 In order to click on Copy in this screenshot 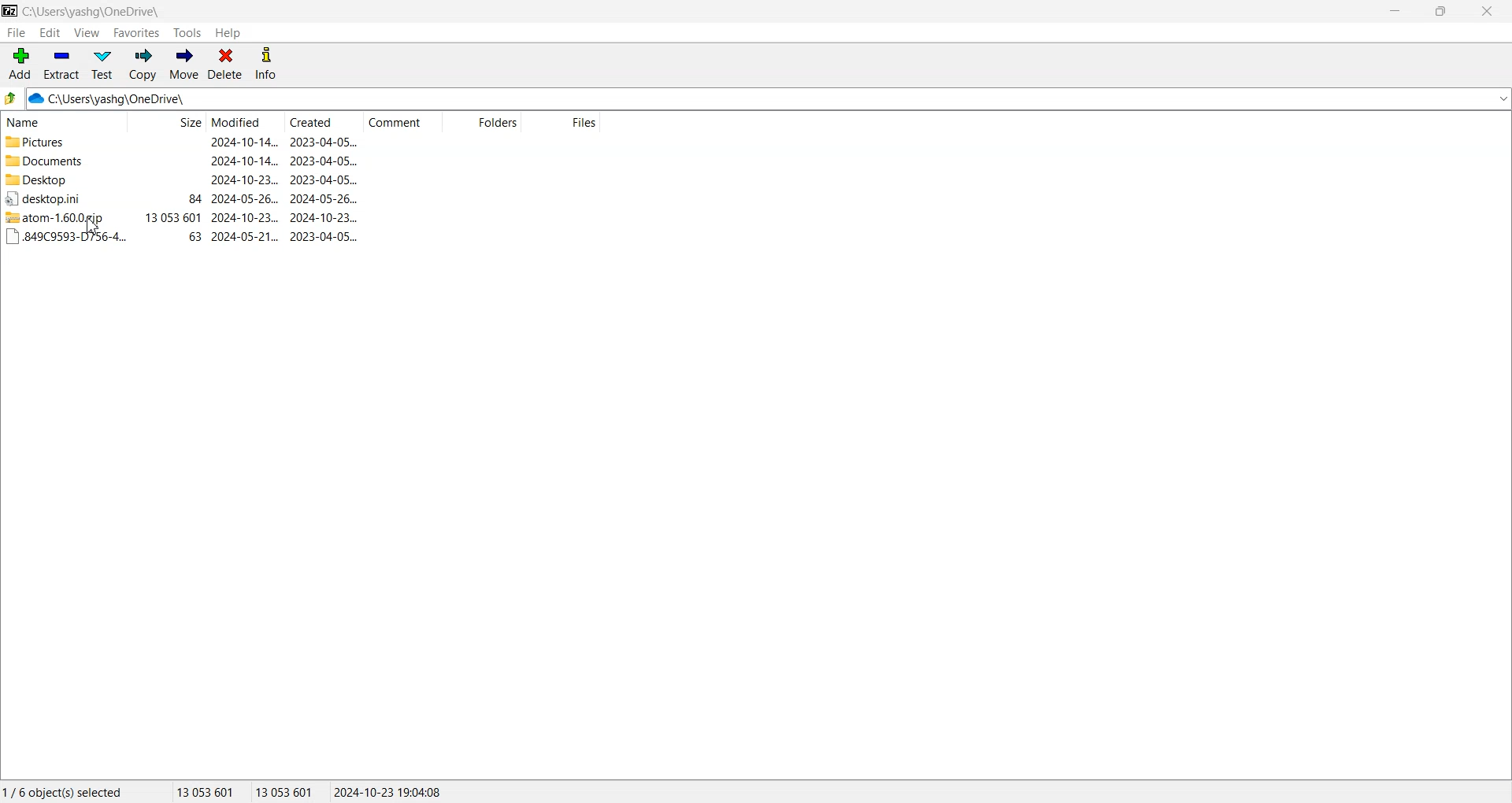, I will do `click(142, 65)`.